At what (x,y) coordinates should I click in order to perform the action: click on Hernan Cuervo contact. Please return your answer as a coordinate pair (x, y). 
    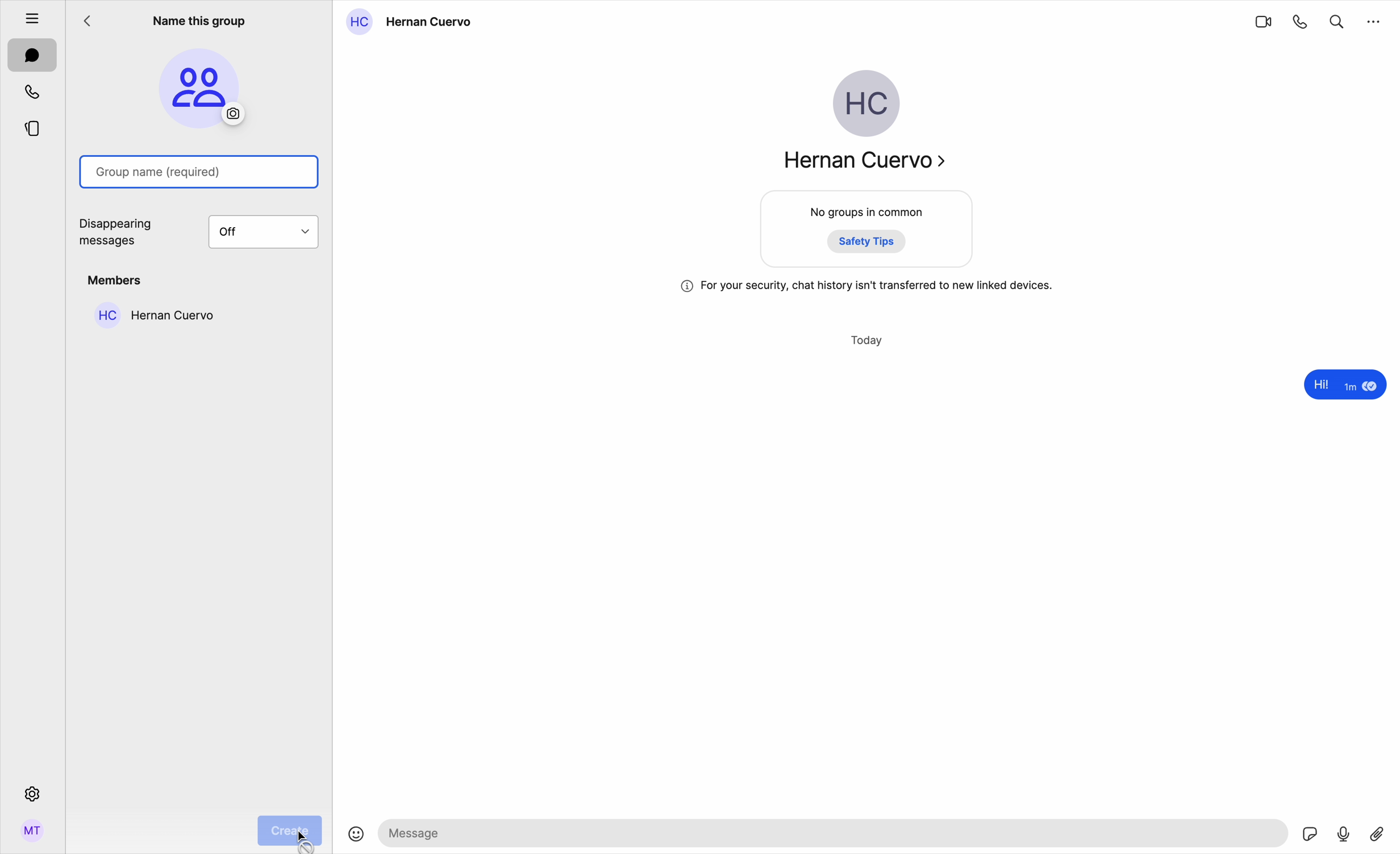
    Looking at the image, I should click on (414, 22).